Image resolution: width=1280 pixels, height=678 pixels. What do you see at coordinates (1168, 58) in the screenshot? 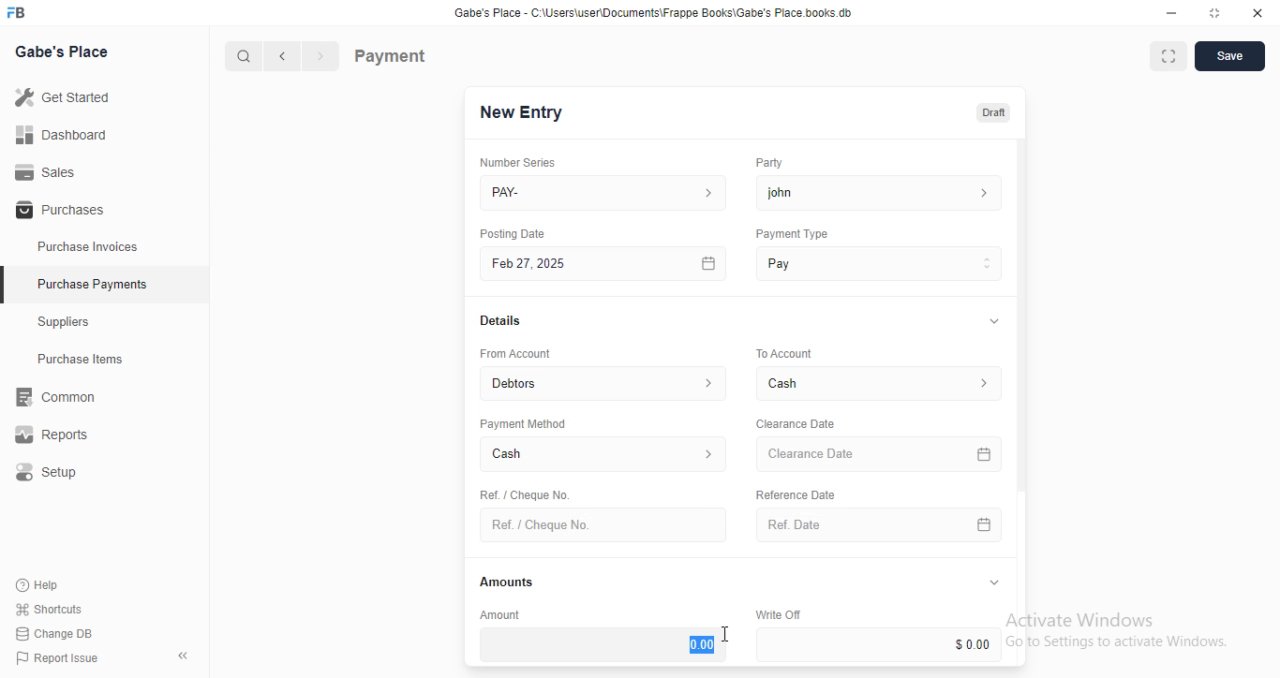
I see `fit to window` at bounding box center [1168, 58].